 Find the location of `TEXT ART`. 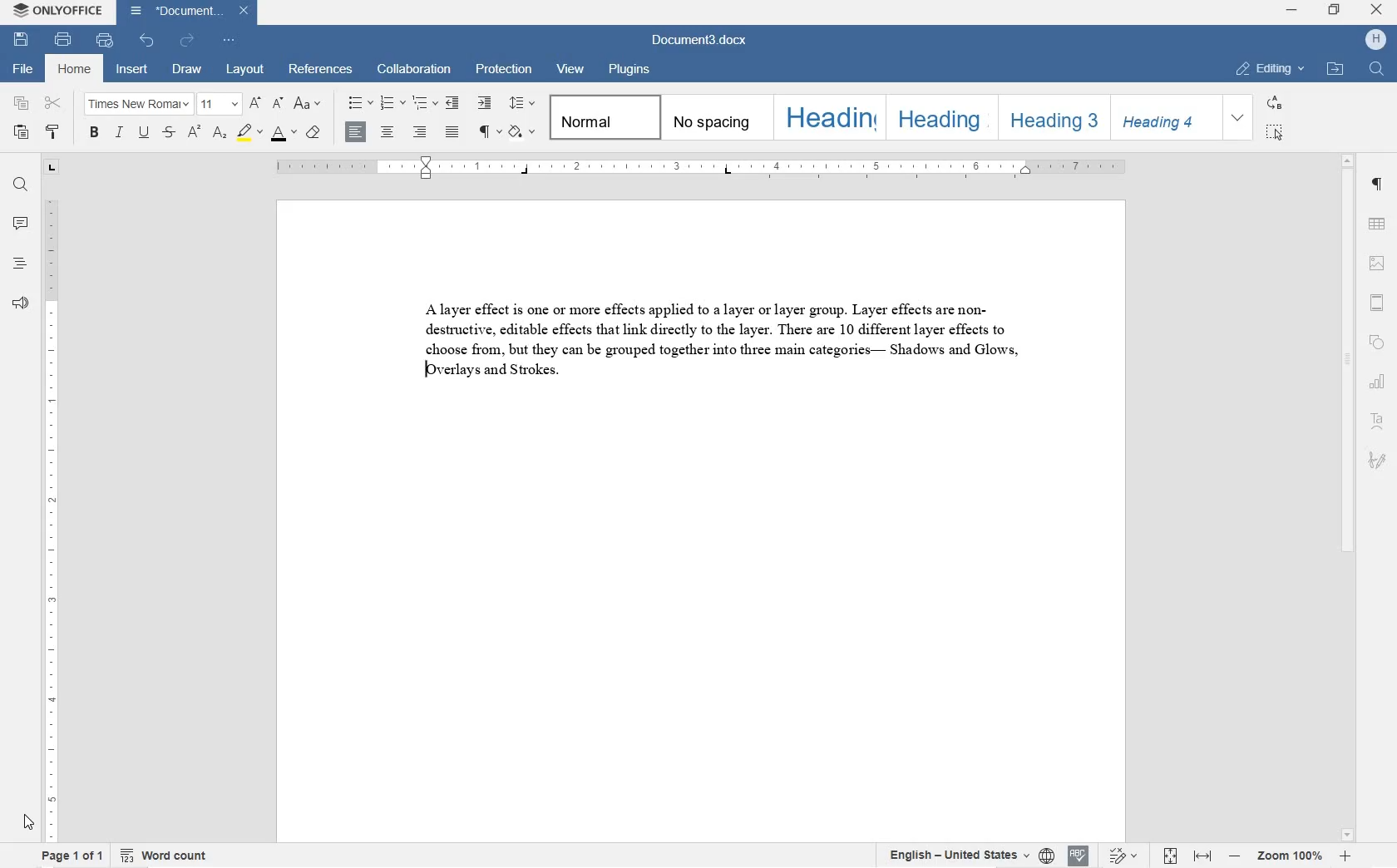

TEXT ART is located at coordinates (1378, 419).